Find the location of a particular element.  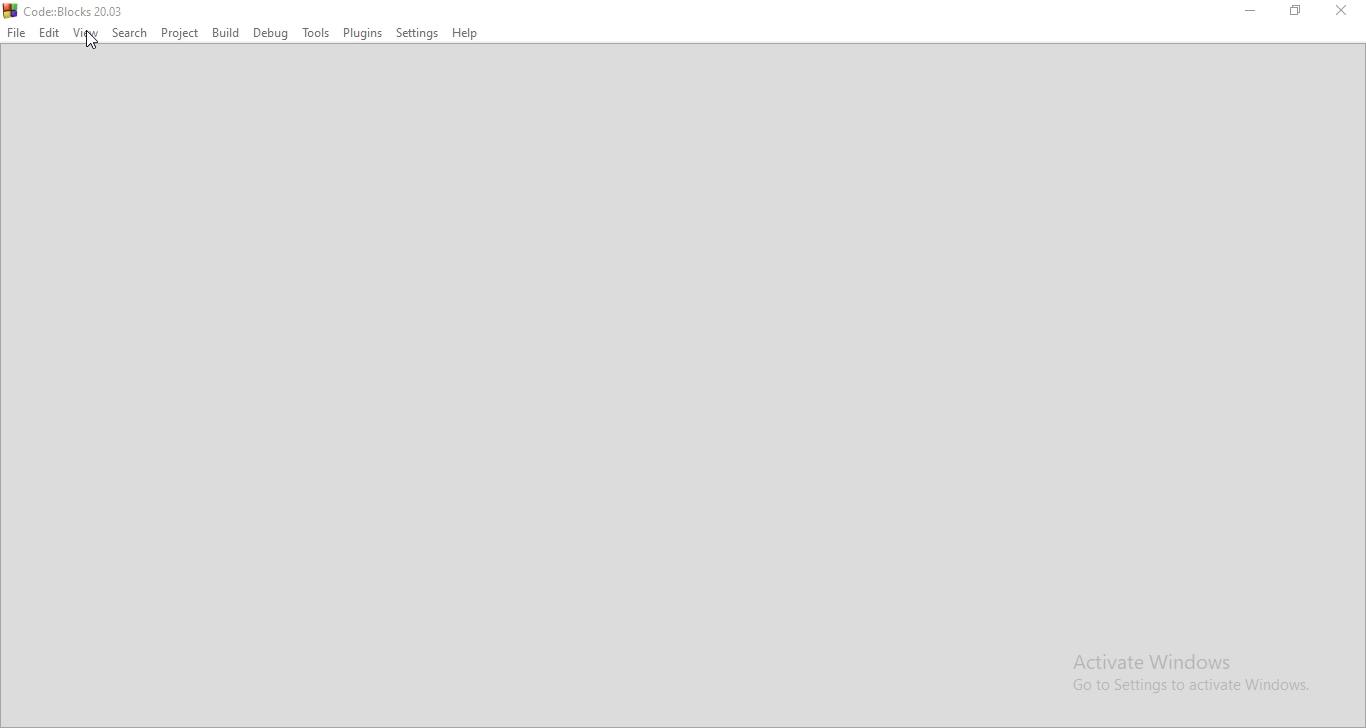

logo is located at coordinates (10, 11).